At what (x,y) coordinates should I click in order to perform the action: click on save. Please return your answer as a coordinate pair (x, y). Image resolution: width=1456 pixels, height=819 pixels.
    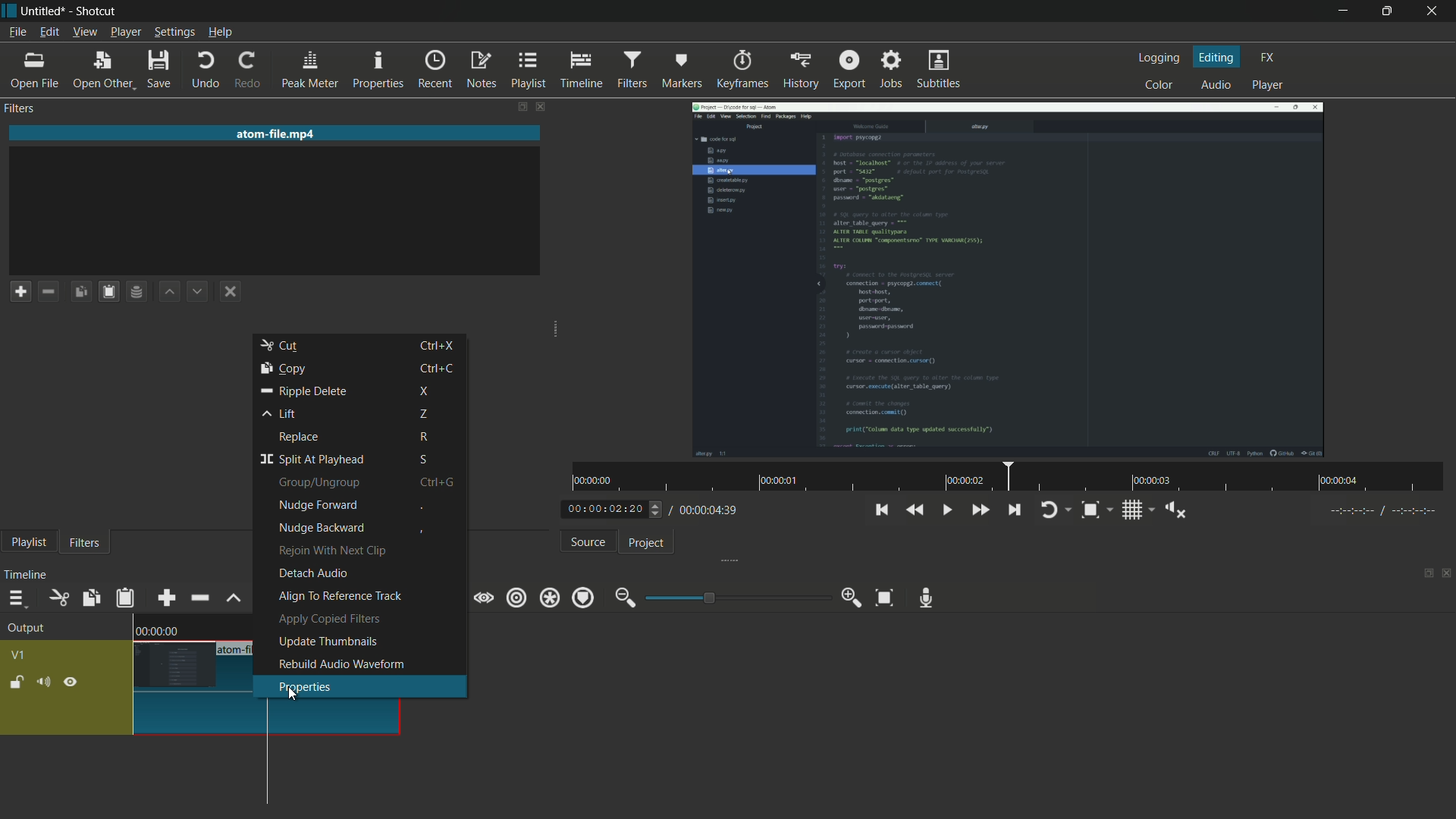
    Looking at the image, I should click on (161, 70).